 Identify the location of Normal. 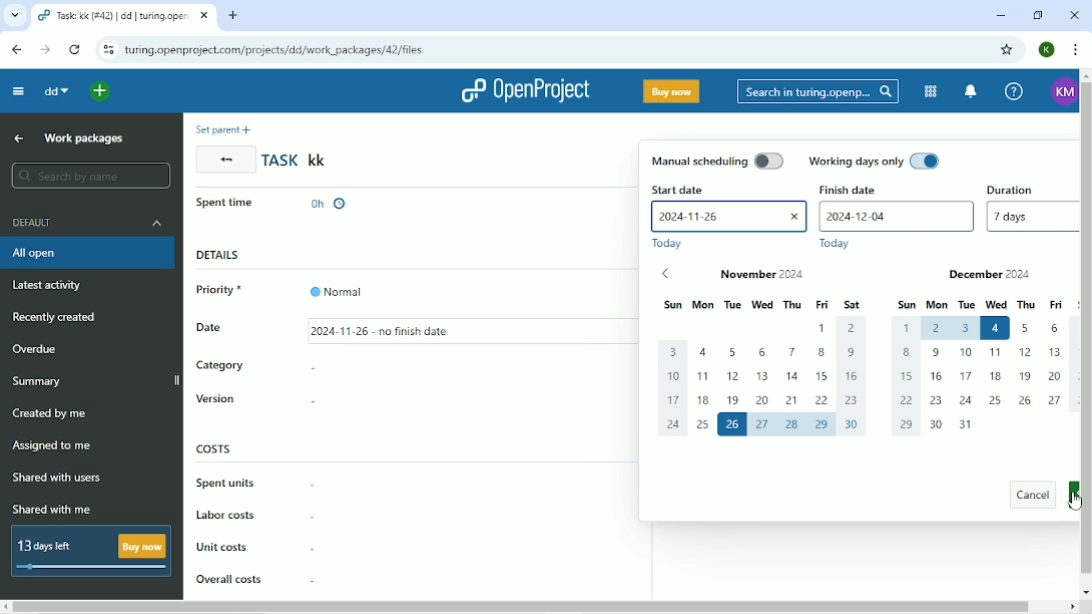
(339, 286).